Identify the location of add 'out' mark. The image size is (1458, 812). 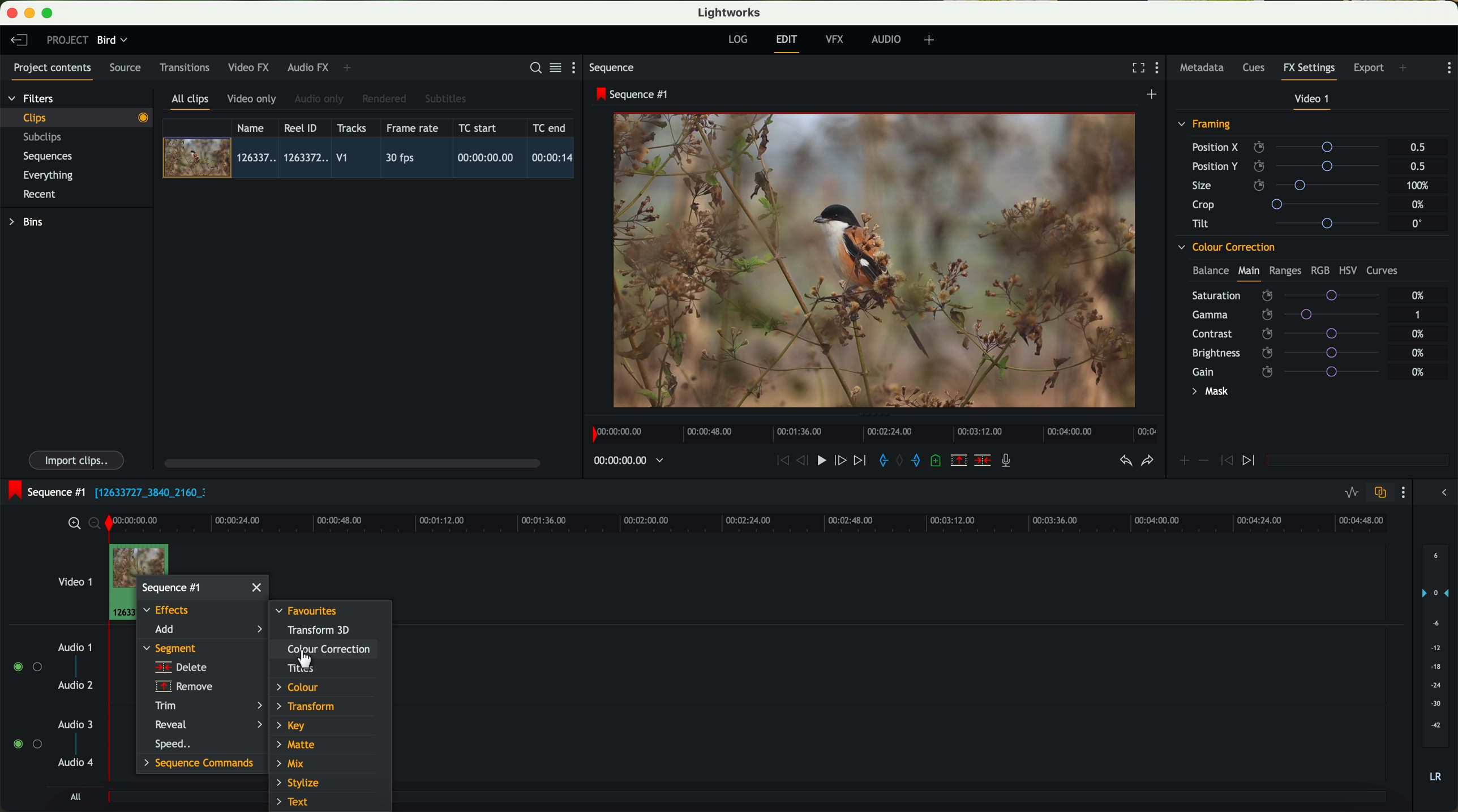
(921, 459).